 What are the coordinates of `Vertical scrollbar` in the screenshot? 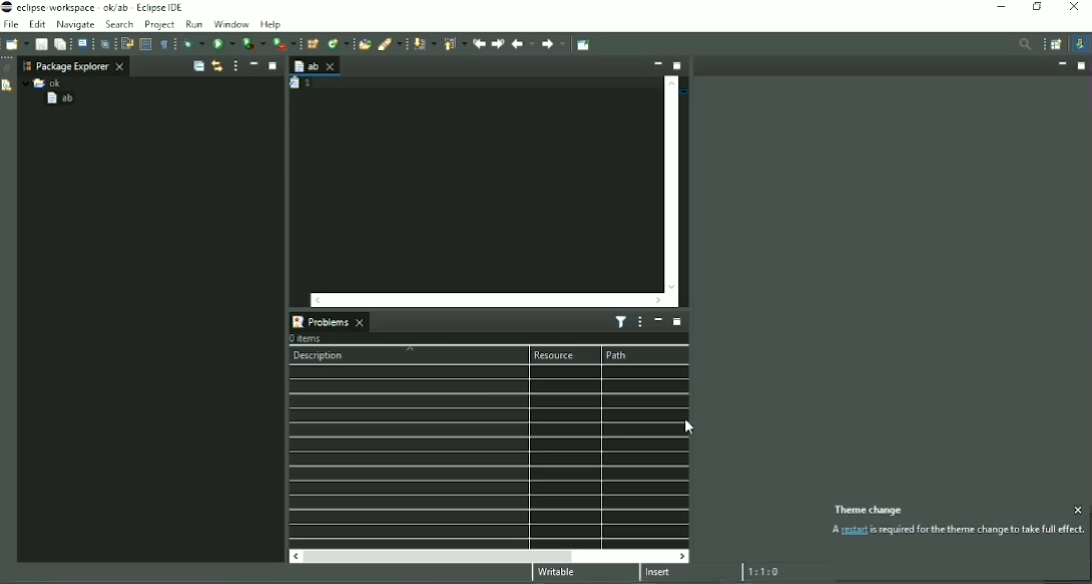 It's located at (671, 186).